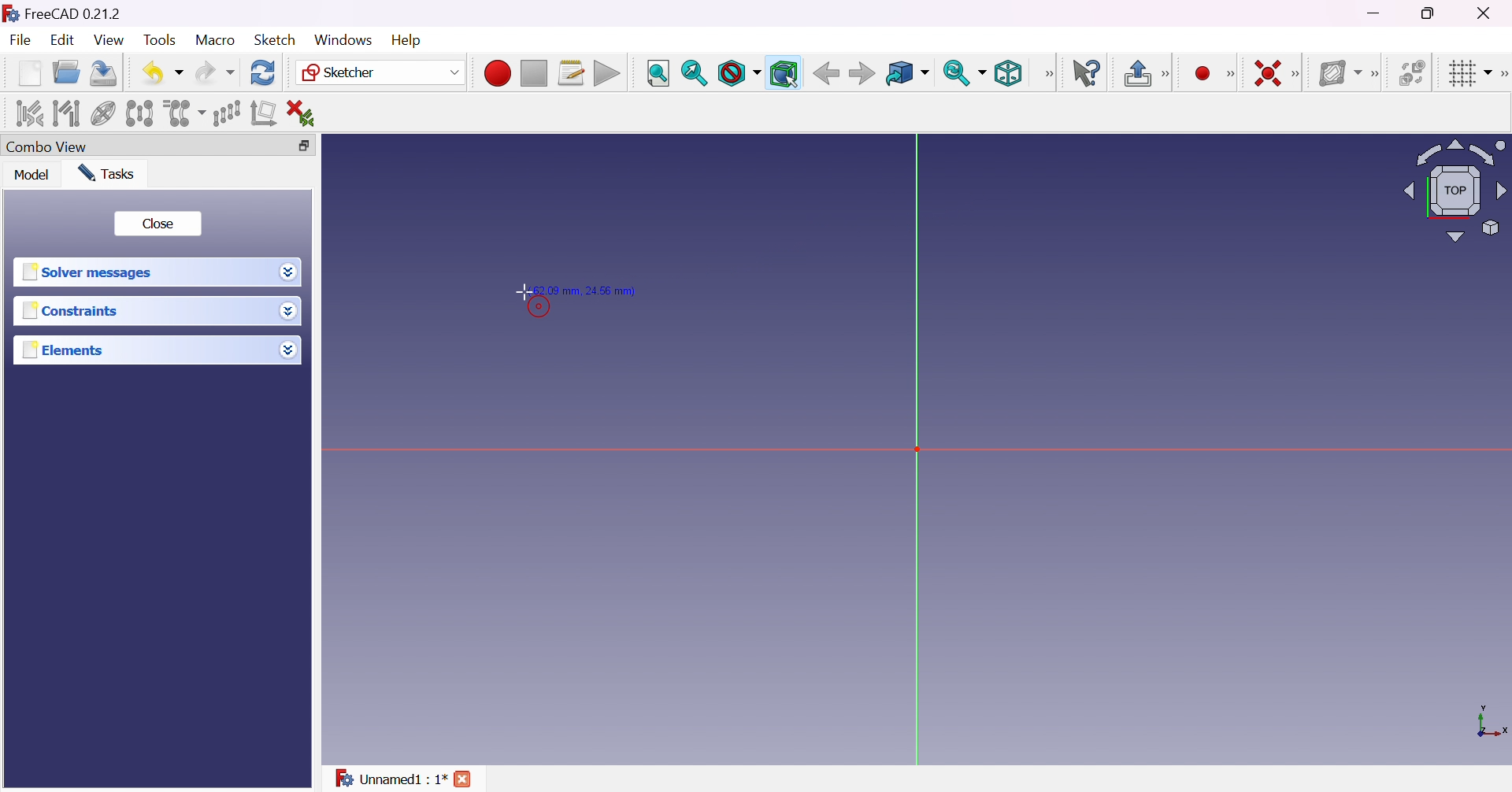 This screenshot has height=792, width=1512. What do you see at coordinates (71, 312) in the screenshot?
I see `Constraints` at bounding box center [71, 312].